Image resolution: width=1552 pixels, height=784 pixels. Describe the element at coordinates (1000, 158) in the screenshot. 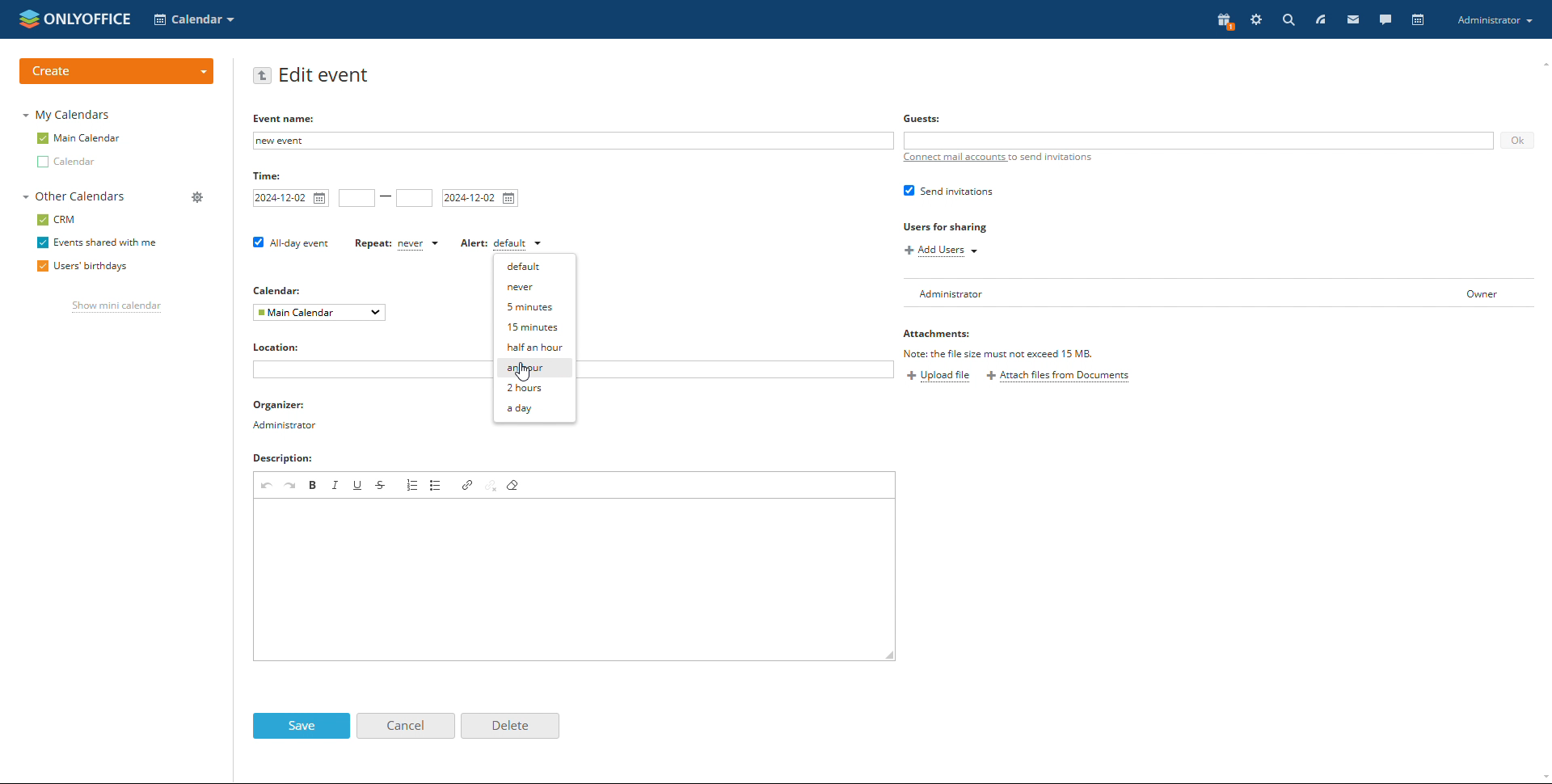

I see `connect mail accounts` at that location.